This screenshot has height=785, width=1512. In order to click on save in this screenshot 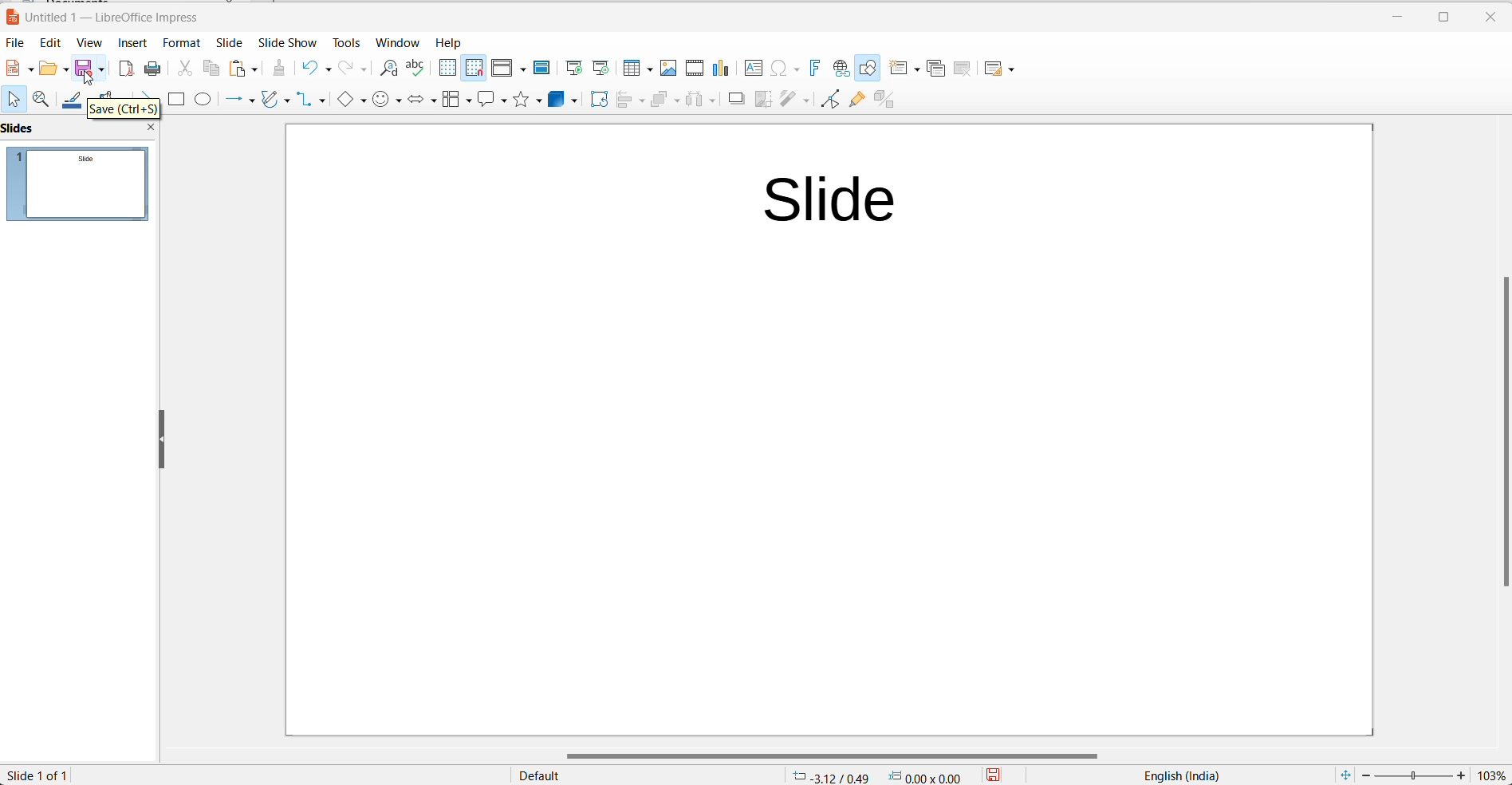, I will do `click(999, 775)`.